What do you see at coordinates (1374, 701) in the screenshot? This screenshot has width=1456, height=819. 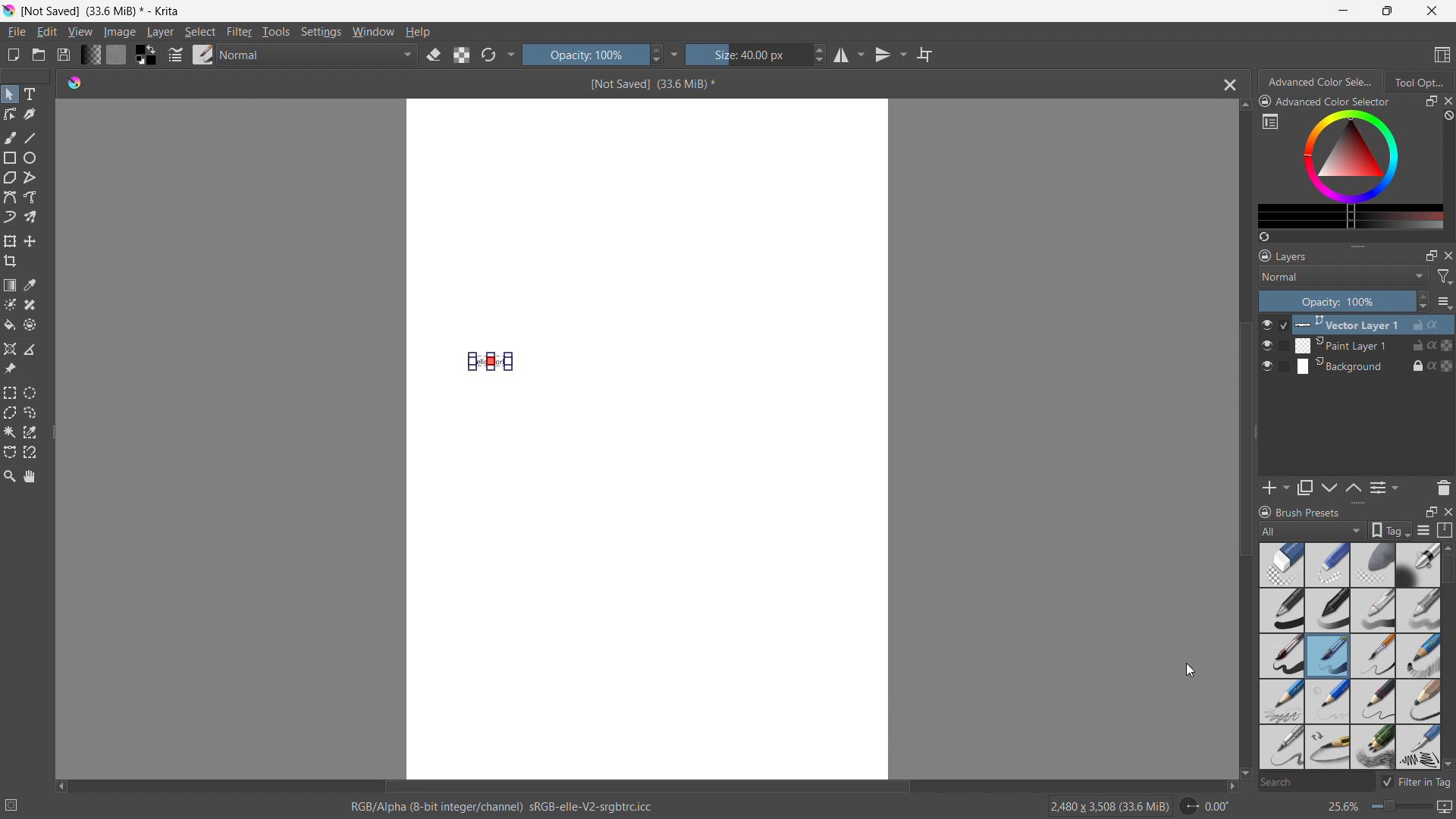 I see `small tip pencil` at bounding box center [1374, 701].